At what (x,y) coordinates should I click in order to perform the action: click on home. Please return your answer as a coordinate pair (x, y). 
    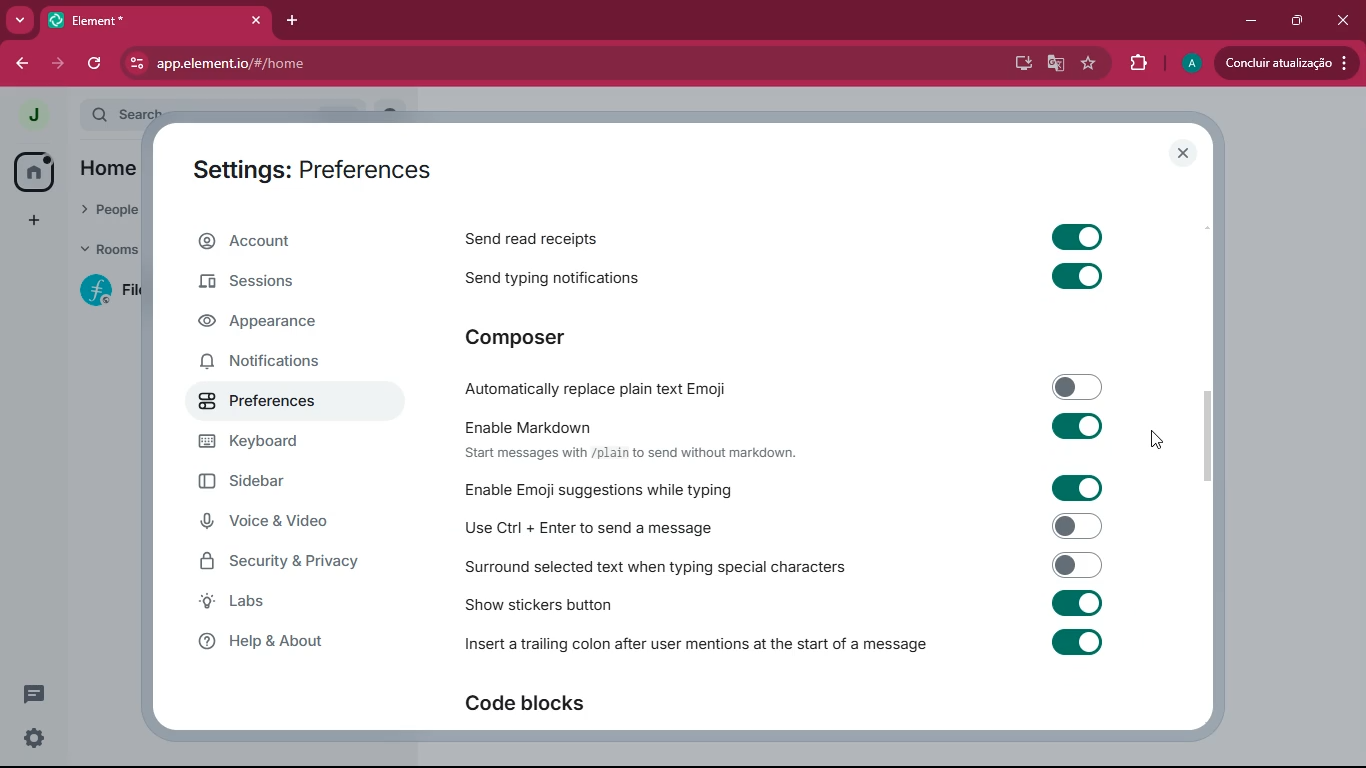
    Looking at the image, I should click on (35, 173).